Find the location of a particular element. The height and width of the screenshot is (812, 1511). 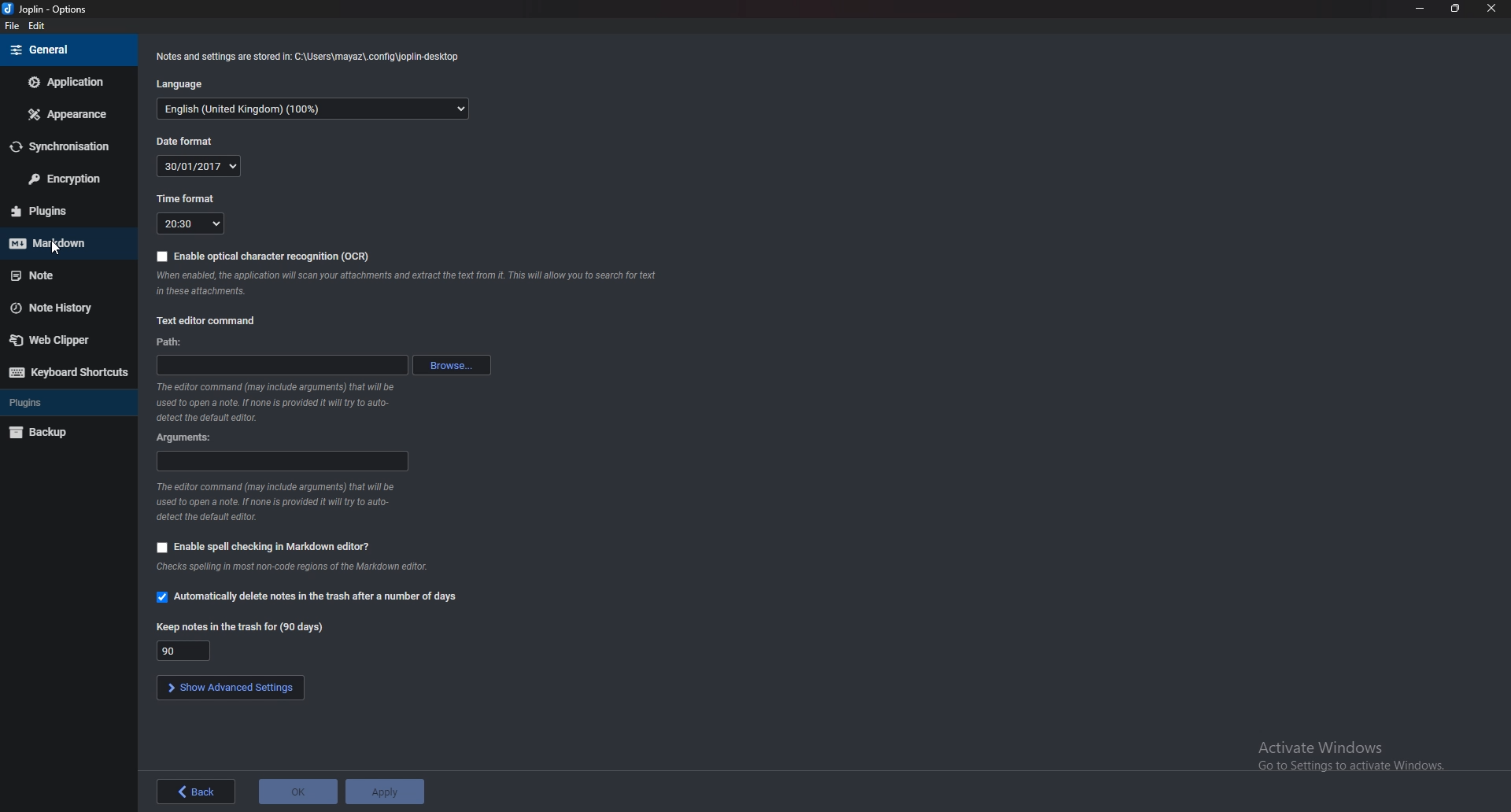

Markdown is located at coordinates (63, 242).